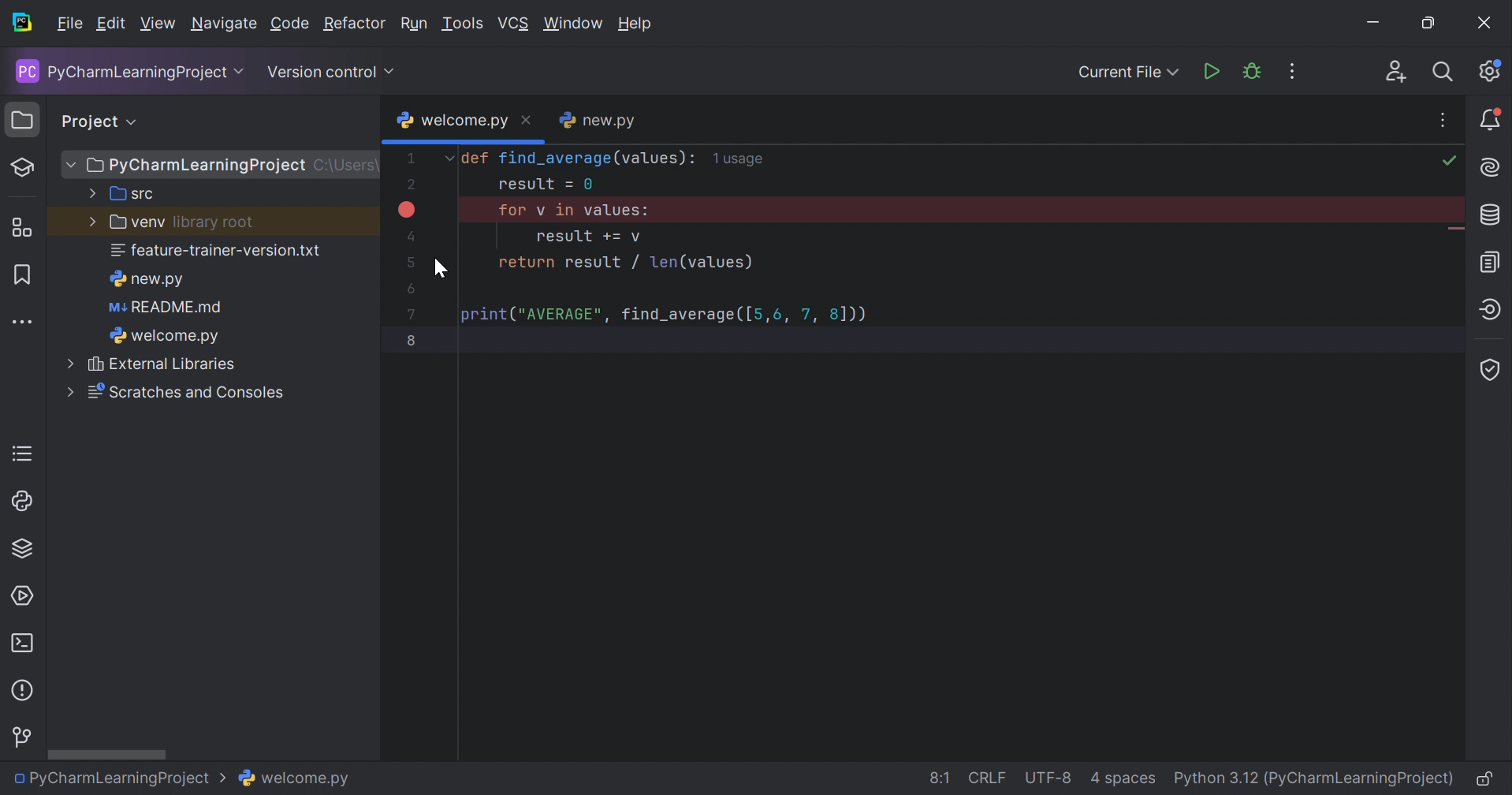  Describe the element at coordinates (411, 157) in the screenshot. I see `1` at that location.